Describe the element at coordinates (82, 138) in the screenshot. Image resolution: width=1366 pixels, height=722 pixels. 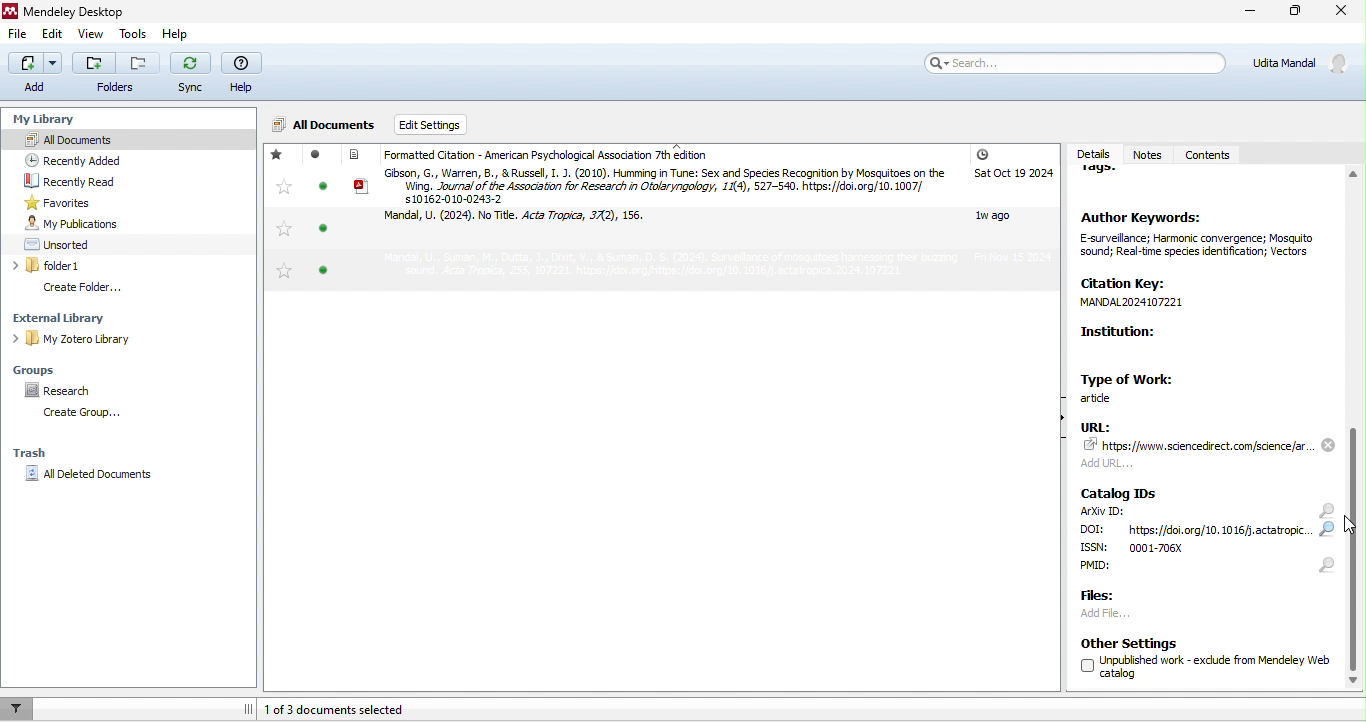
I see `all documents` at that location.